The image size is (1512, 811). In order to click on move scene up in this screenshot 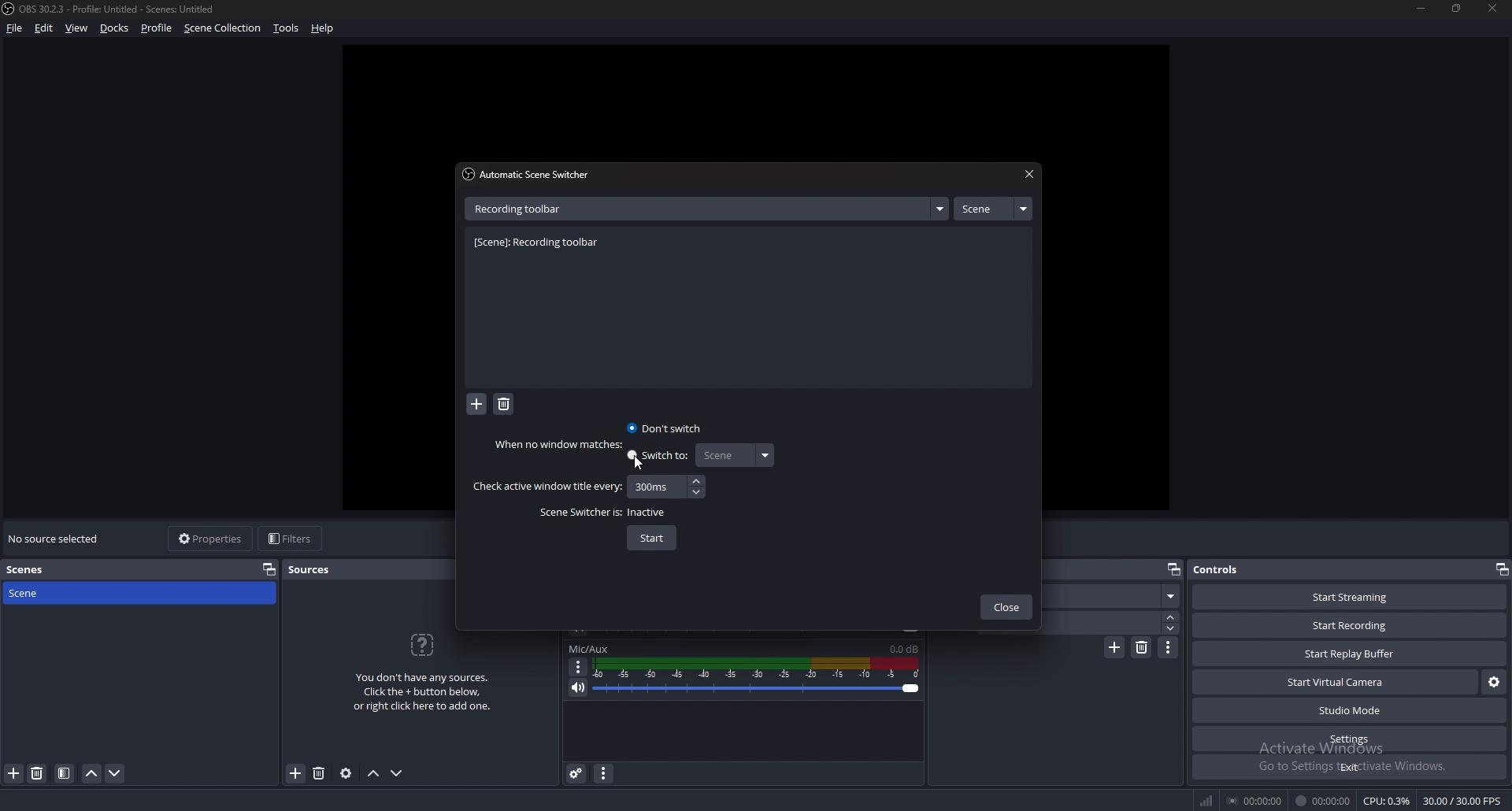, I will do `click(93, 773)`.